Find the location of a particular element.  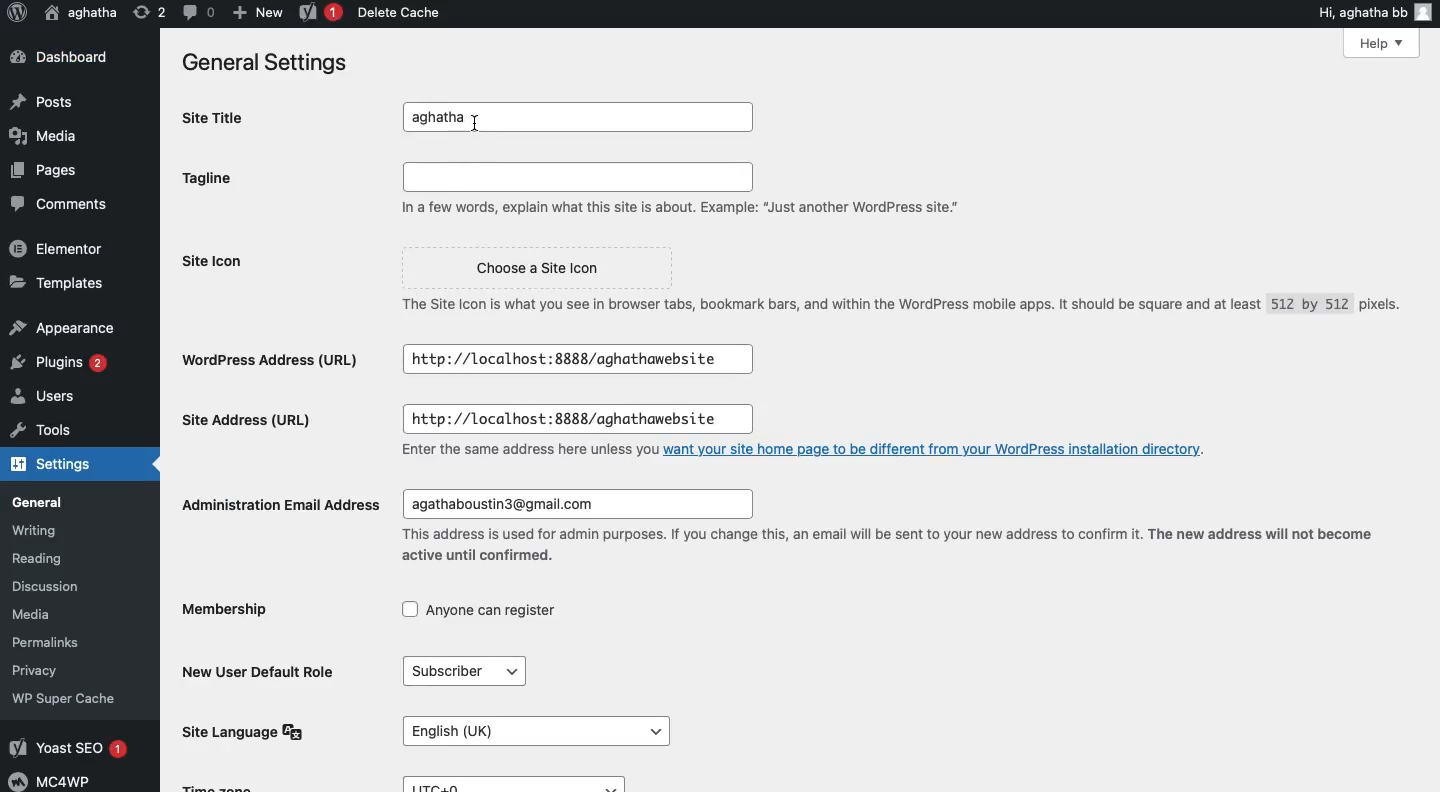

want your site home page to be different from your WordPress installation directory. is located at coordinates (940, 450).